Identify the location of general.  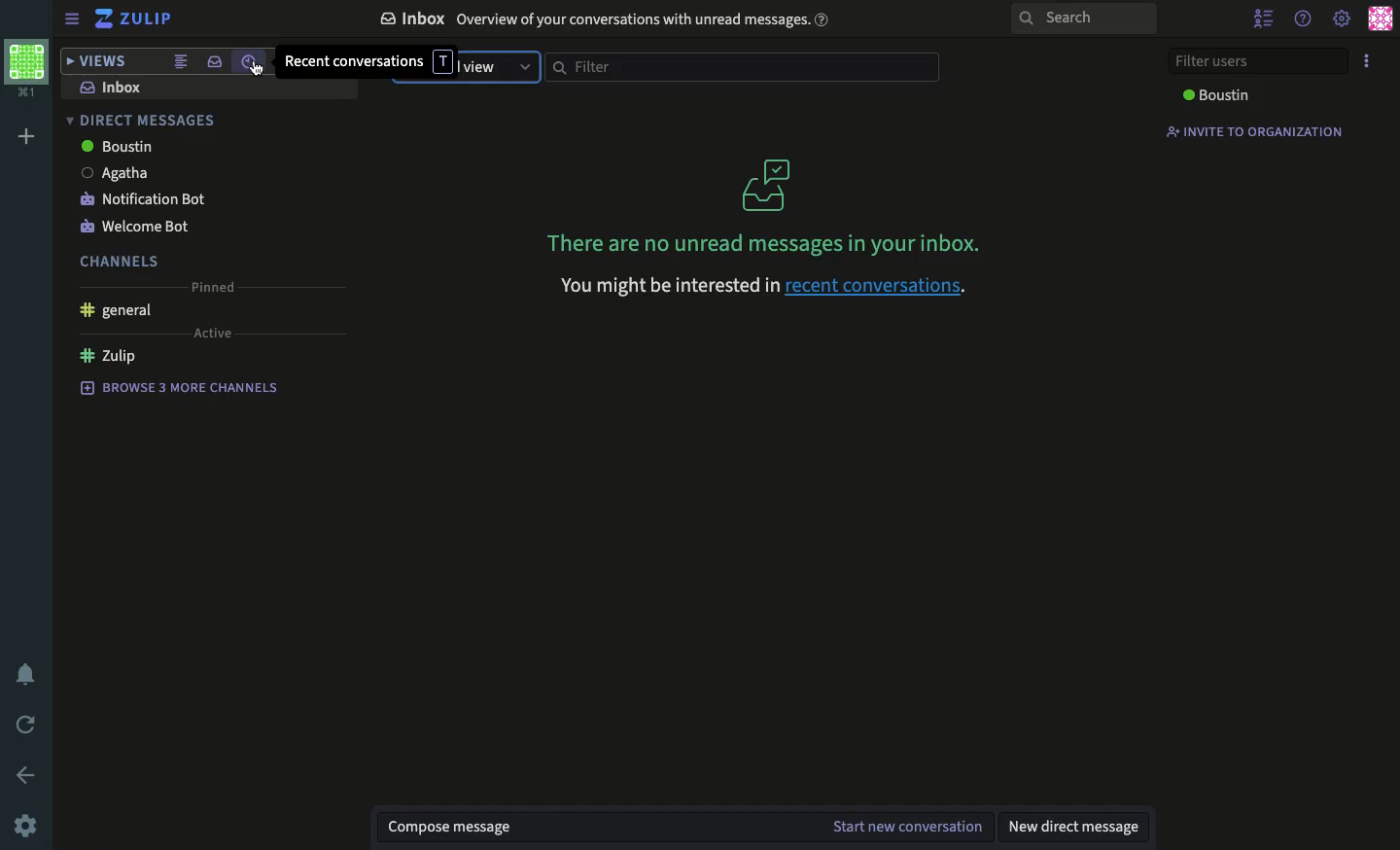
(115, 313).